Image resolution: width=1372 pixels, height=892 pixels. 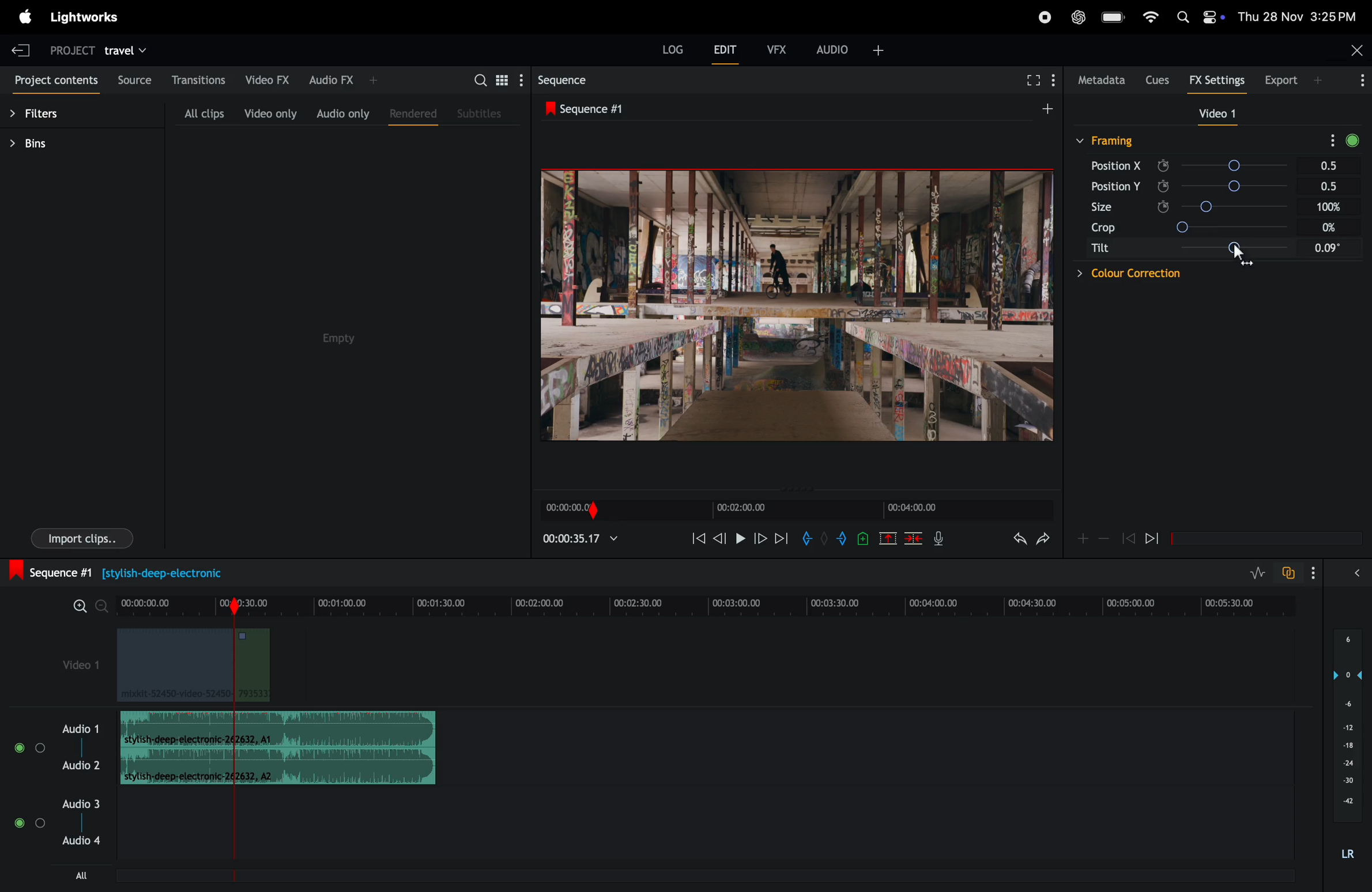 I want to click on Enable/Disable keyframe, so click(x=1164, y=184).